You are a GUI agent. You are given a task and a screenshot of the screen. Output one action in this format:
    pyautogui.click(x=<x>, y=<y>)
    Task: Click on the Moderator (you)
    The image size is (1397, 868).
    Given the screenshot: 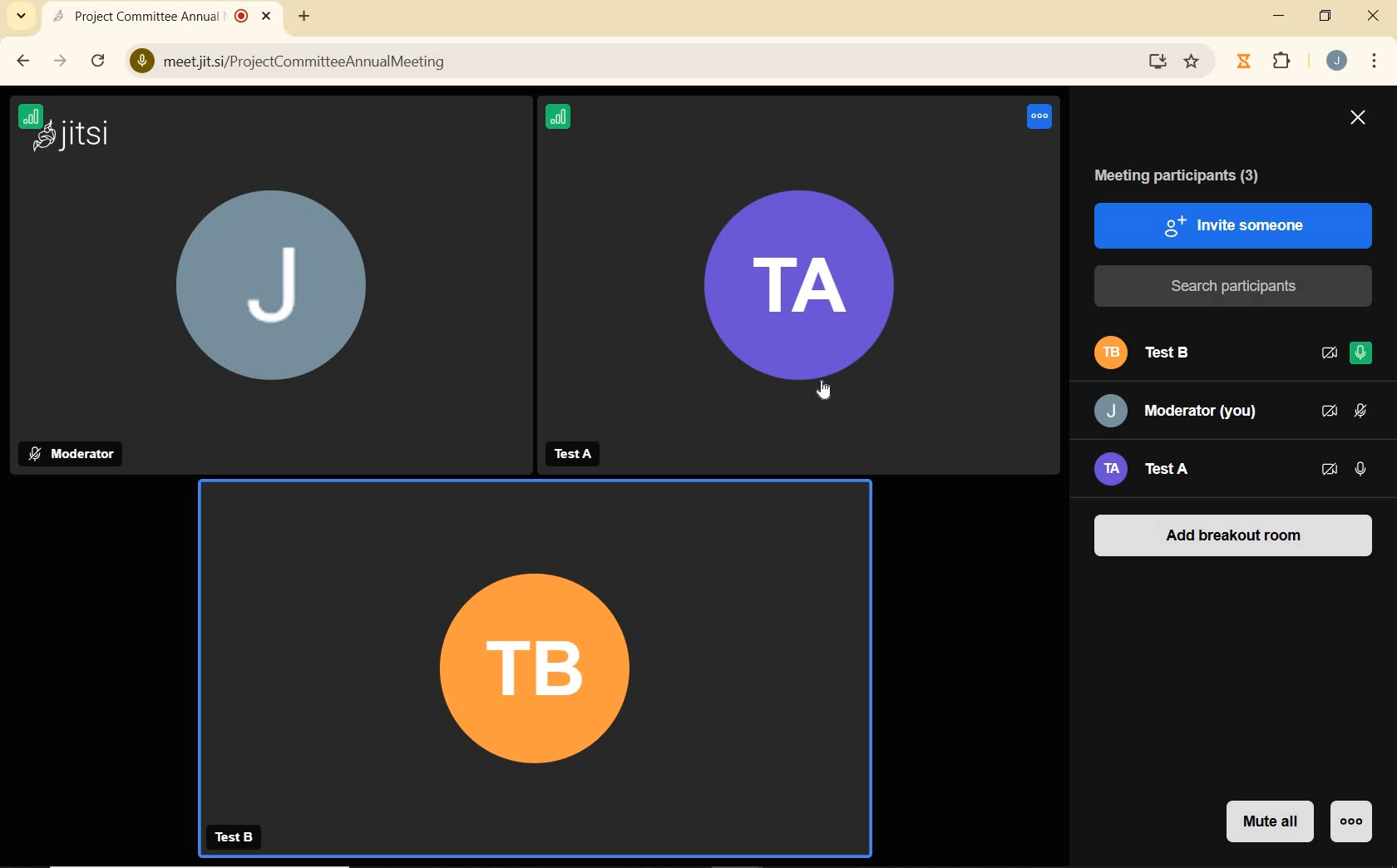 What is the action you would take?
    pyautogui.click(x=1179, y=411)
    